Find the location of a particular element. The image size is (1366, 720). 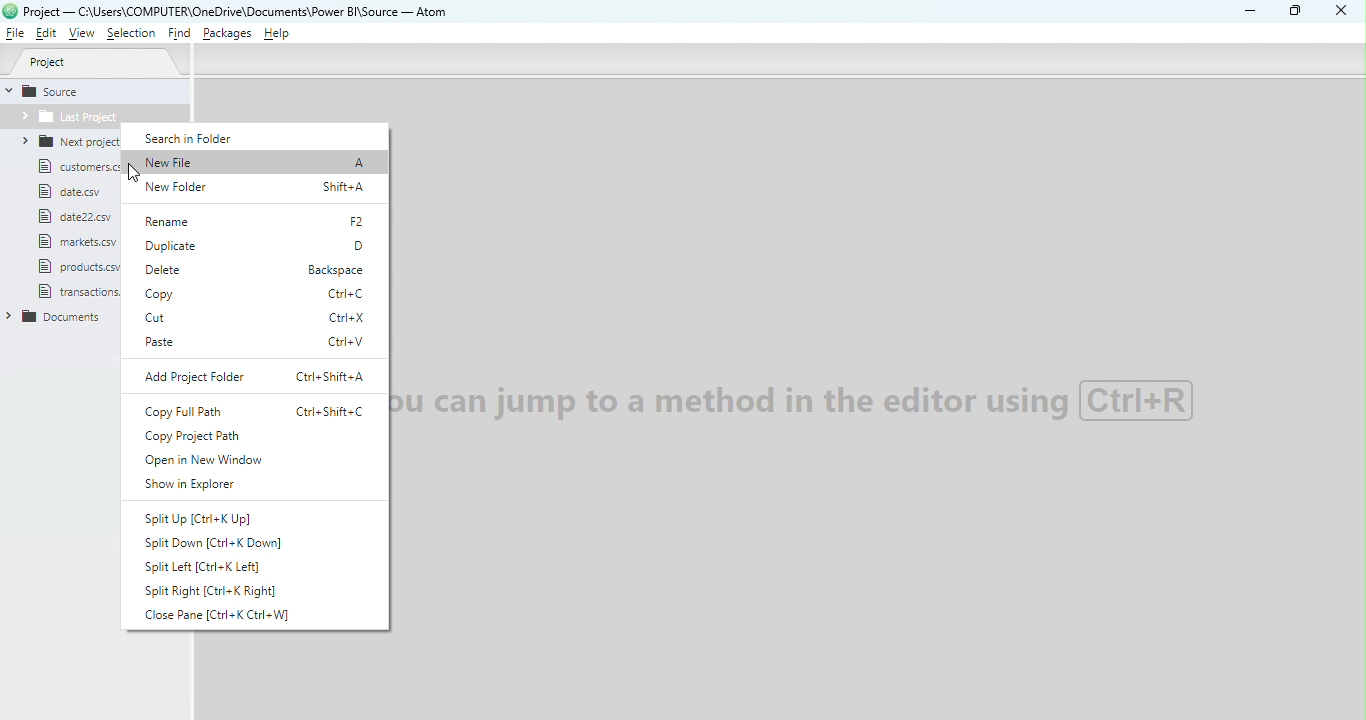

folder is located at coordinates (65, 138).